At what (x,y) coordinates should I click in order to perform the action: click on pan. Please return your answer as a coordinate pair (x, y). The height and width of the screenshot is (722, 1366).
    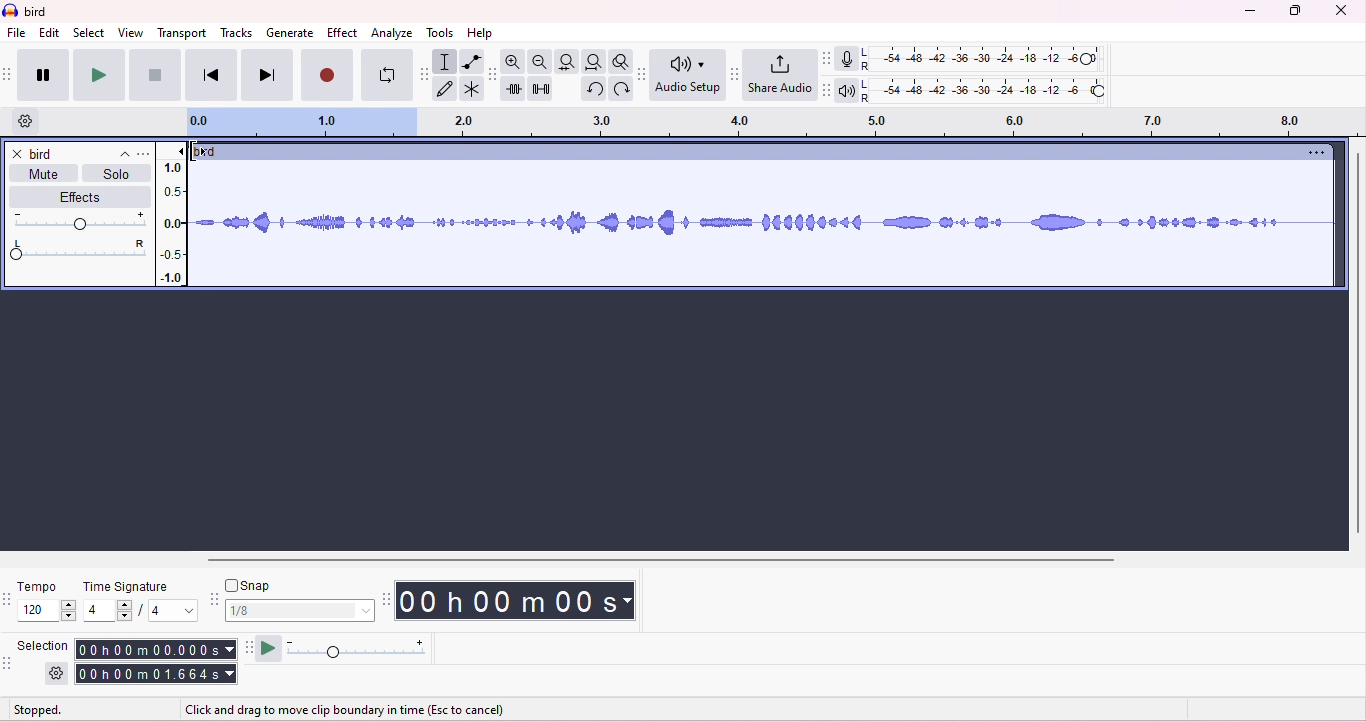
    Looking at the image, I should click on (79, 250).